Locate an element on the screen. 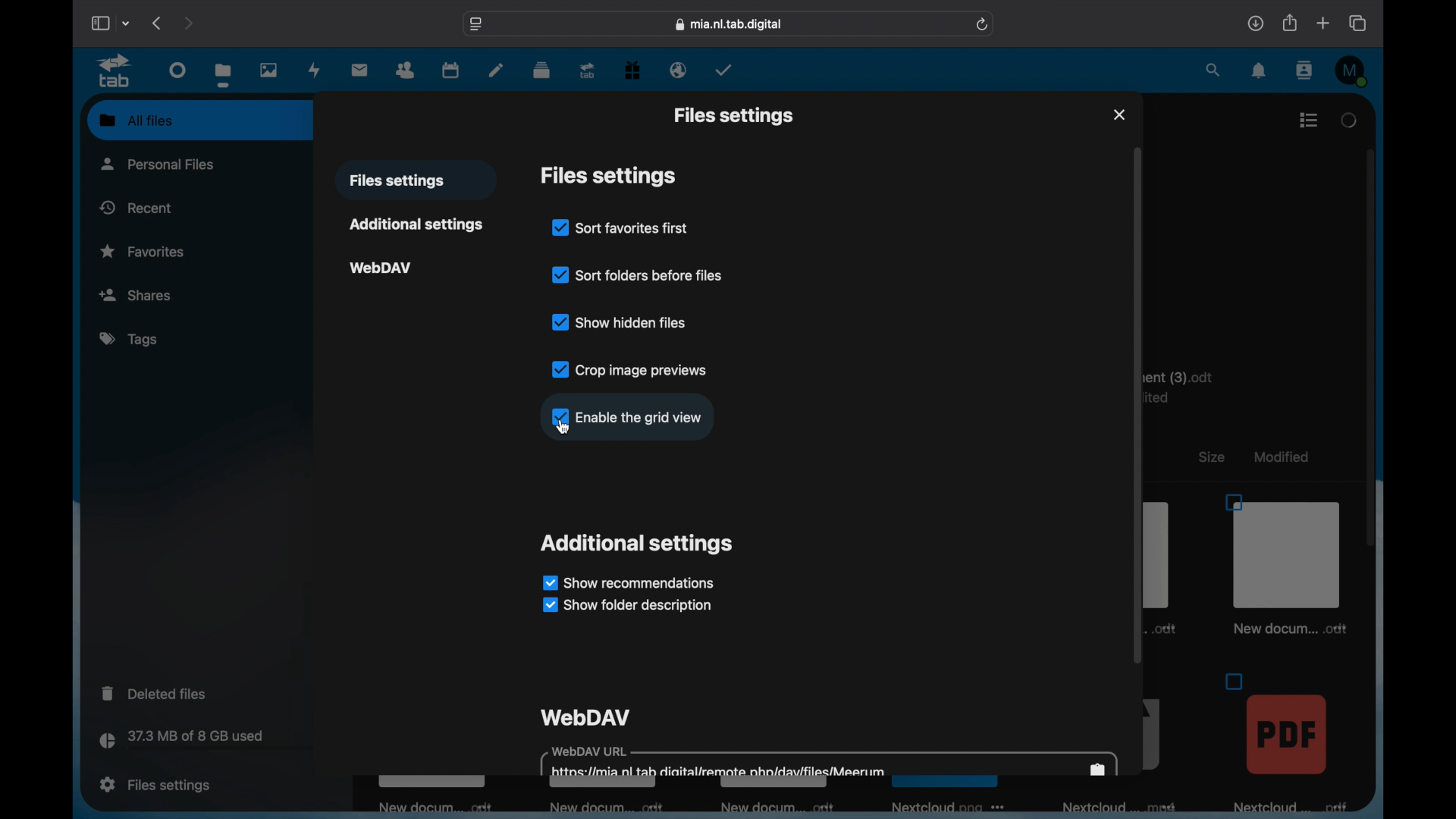 The height and width of the screenshot is (819, 1456). webdav is located at coordinates (587, 716).